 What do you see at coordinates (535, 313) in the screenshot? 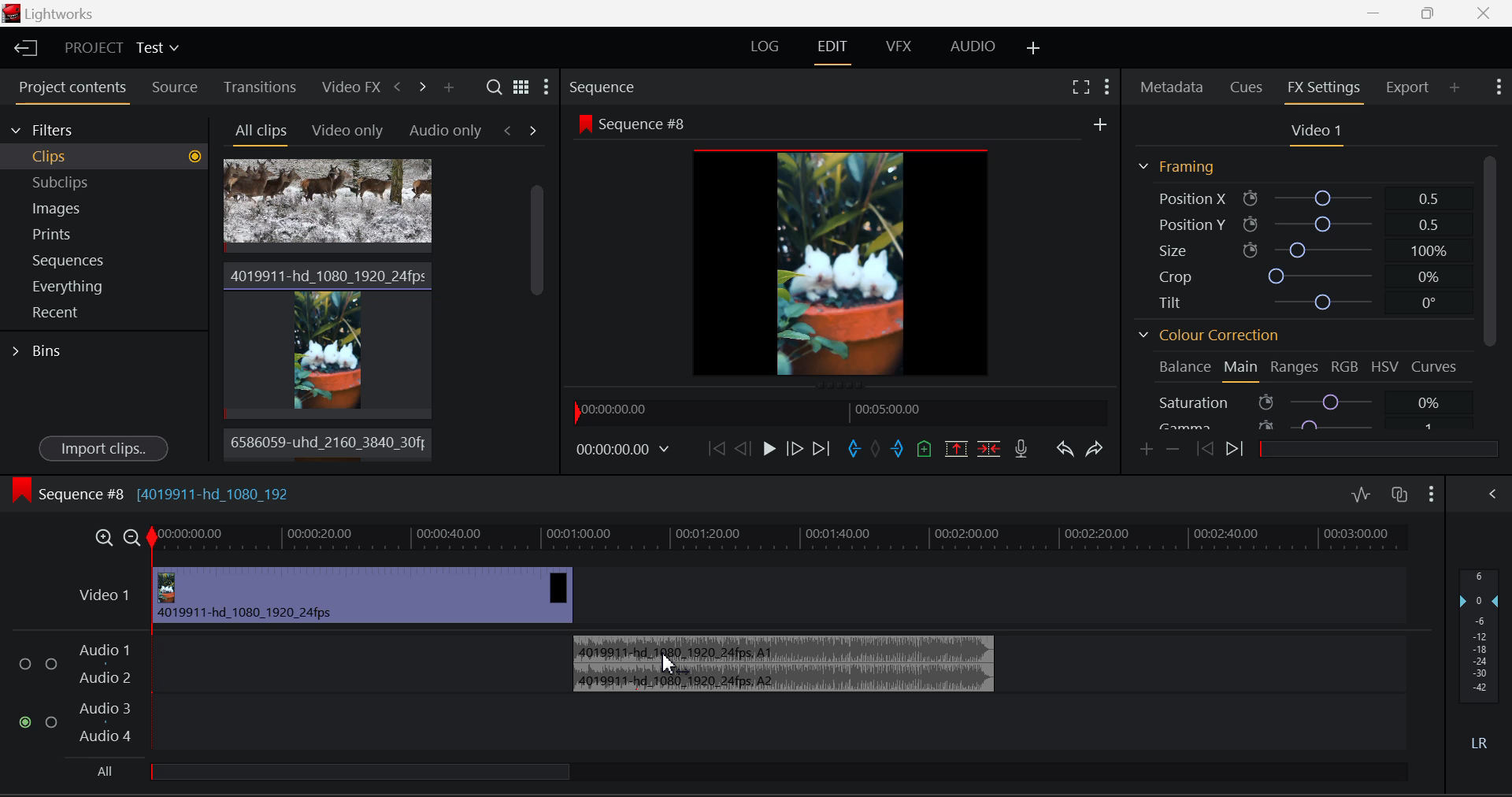
I see `Scroll Bar` at bounding box center [535, 313].